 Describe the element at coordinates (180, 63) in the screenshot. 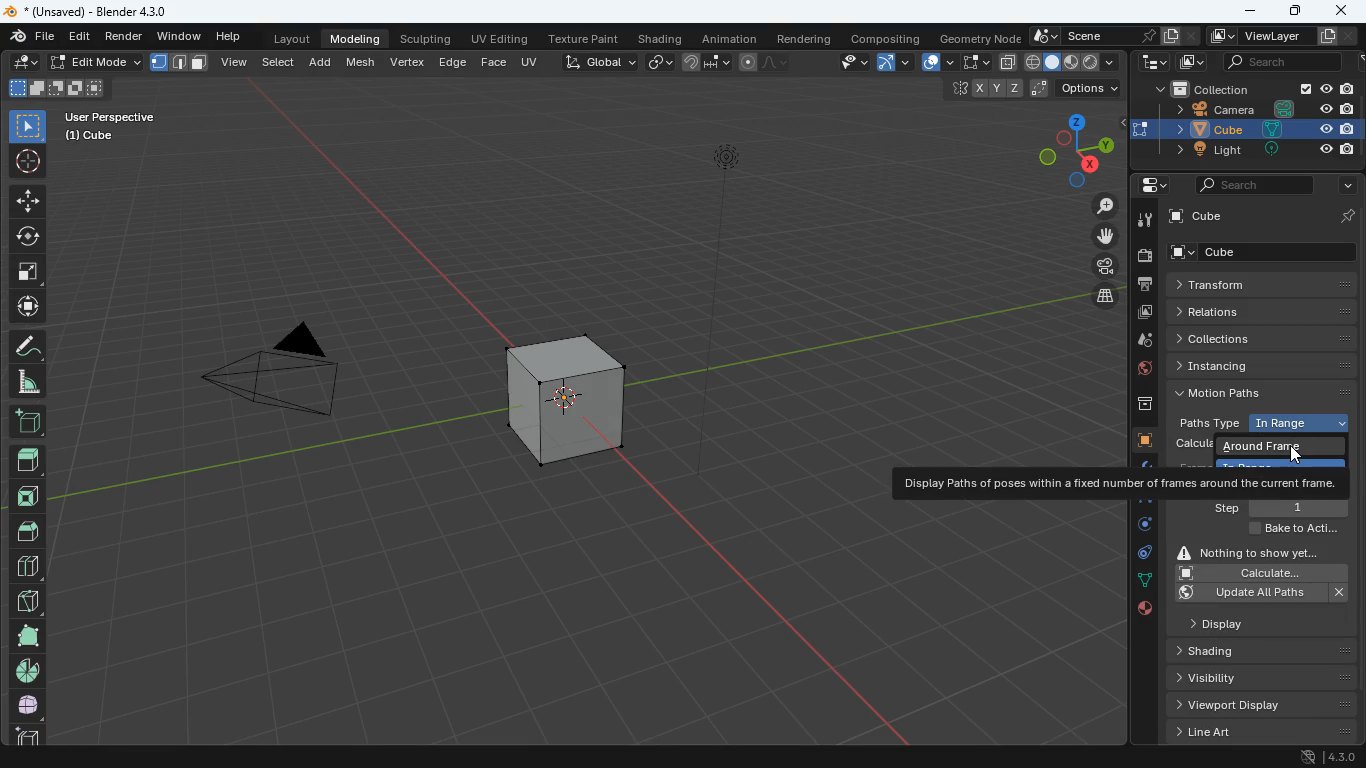

I see `perks` at that location.